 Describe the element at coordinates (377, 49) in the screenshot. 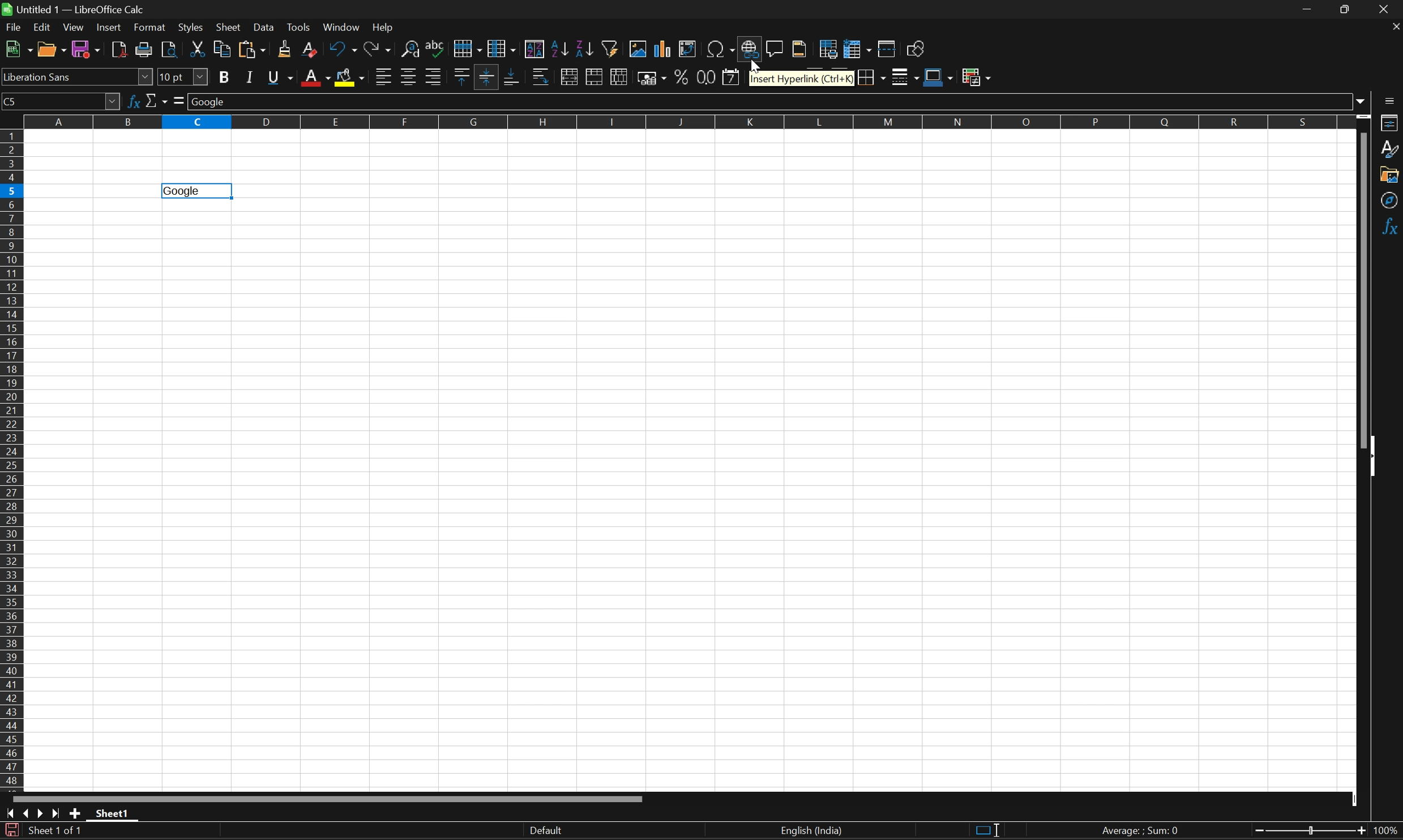

I see `Redo` at that location.